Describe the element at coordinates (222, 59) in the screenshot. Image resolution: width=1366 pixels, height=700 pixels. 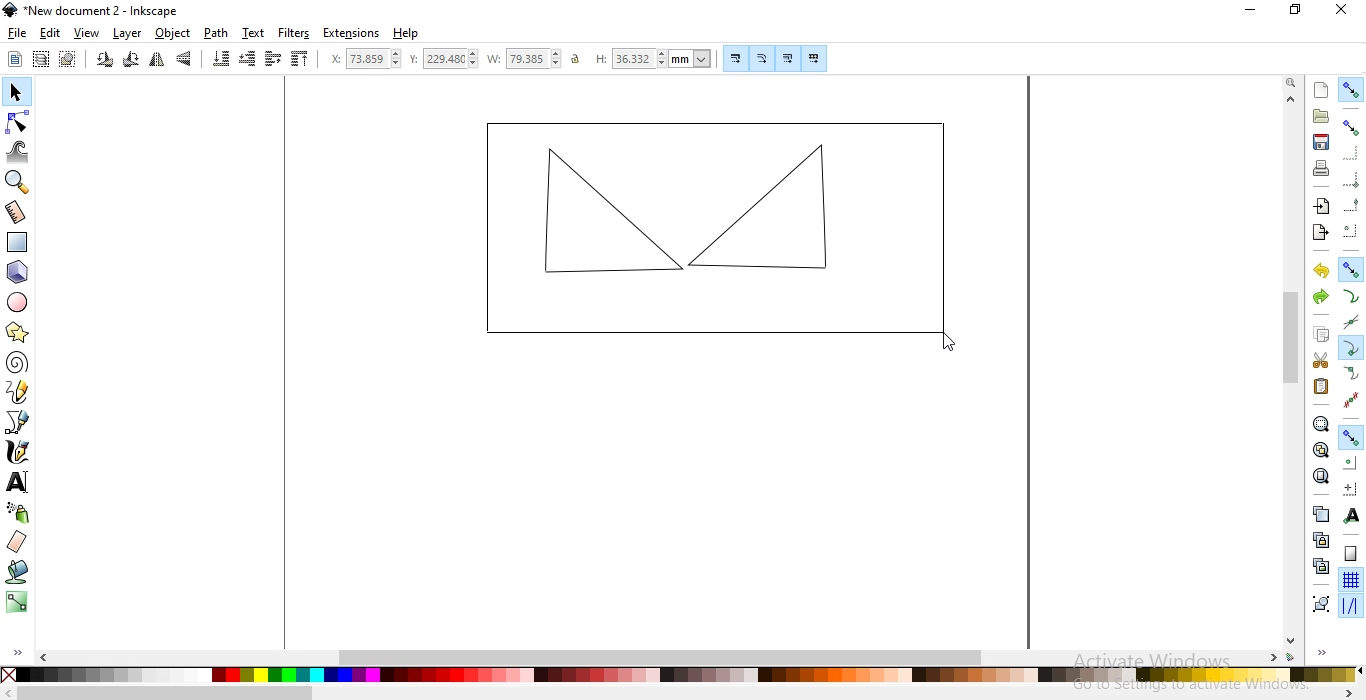
I see `lower selection to bottom` at that location.